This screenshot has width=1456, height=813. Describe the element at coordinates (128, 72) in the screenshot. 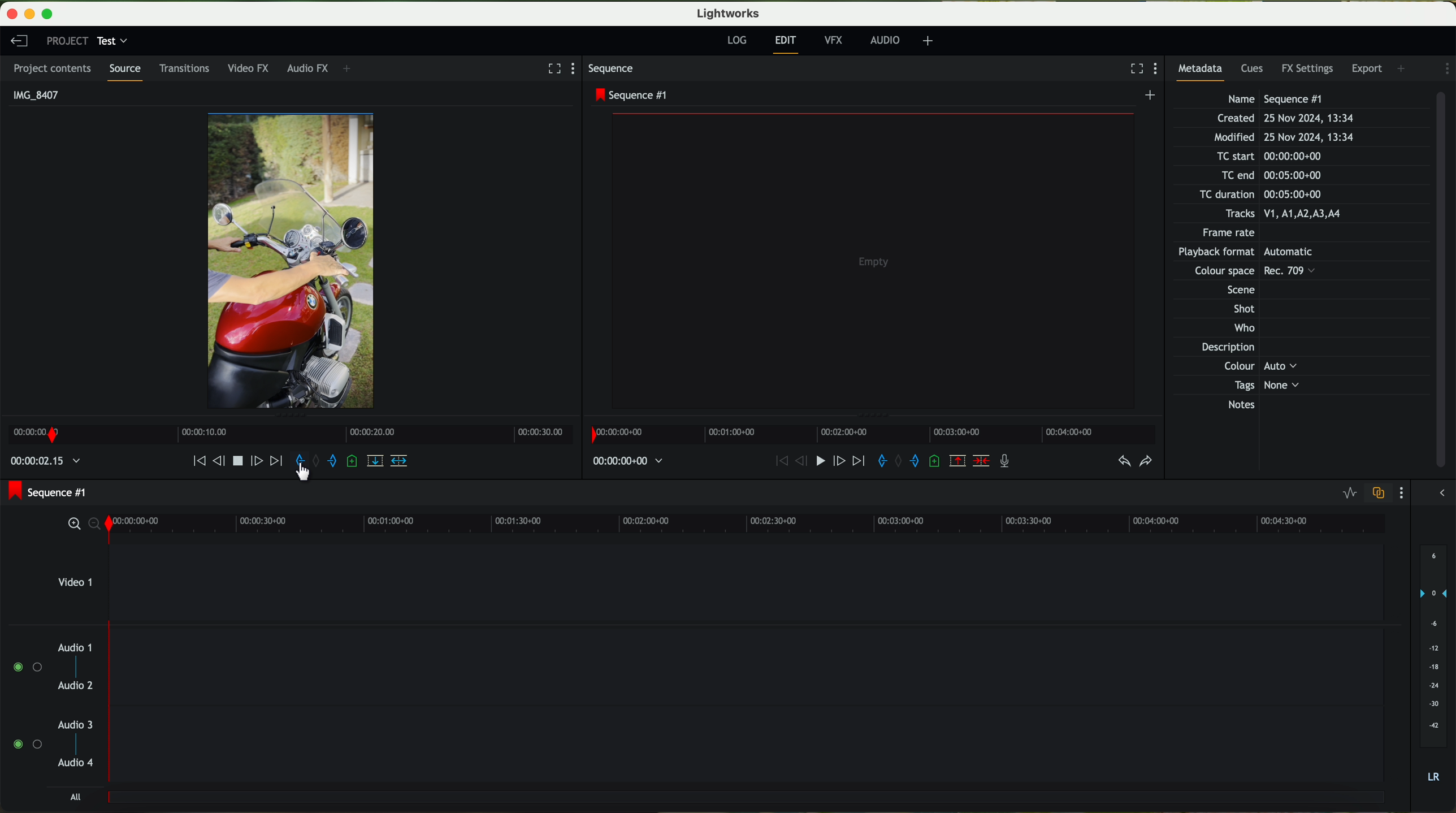

I see `source` at that location.